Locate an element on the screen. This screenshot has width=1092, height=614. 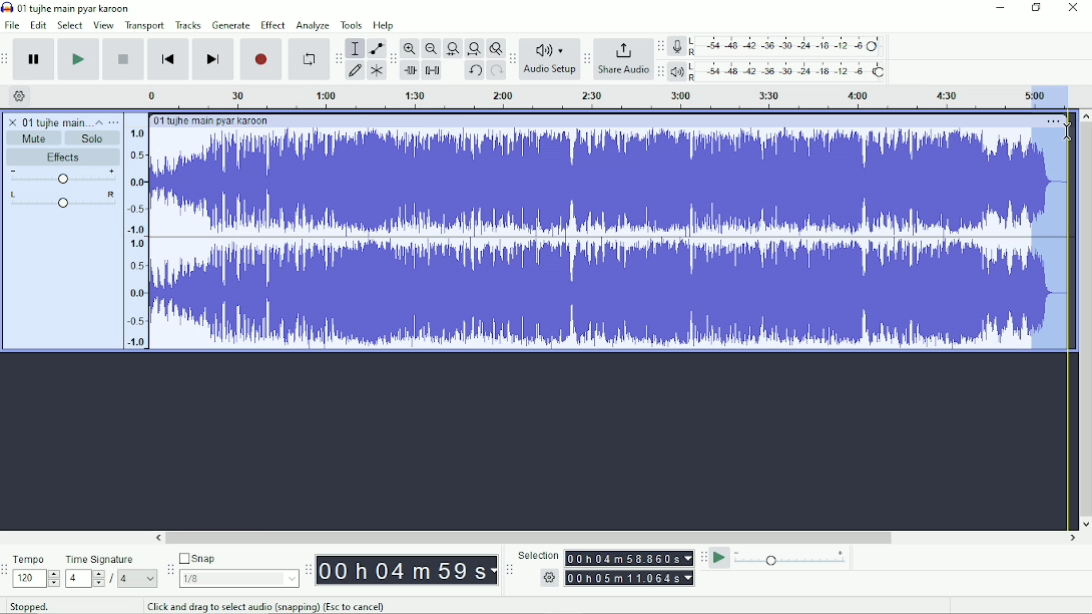
Open menu is located at coordinates (115, 122).